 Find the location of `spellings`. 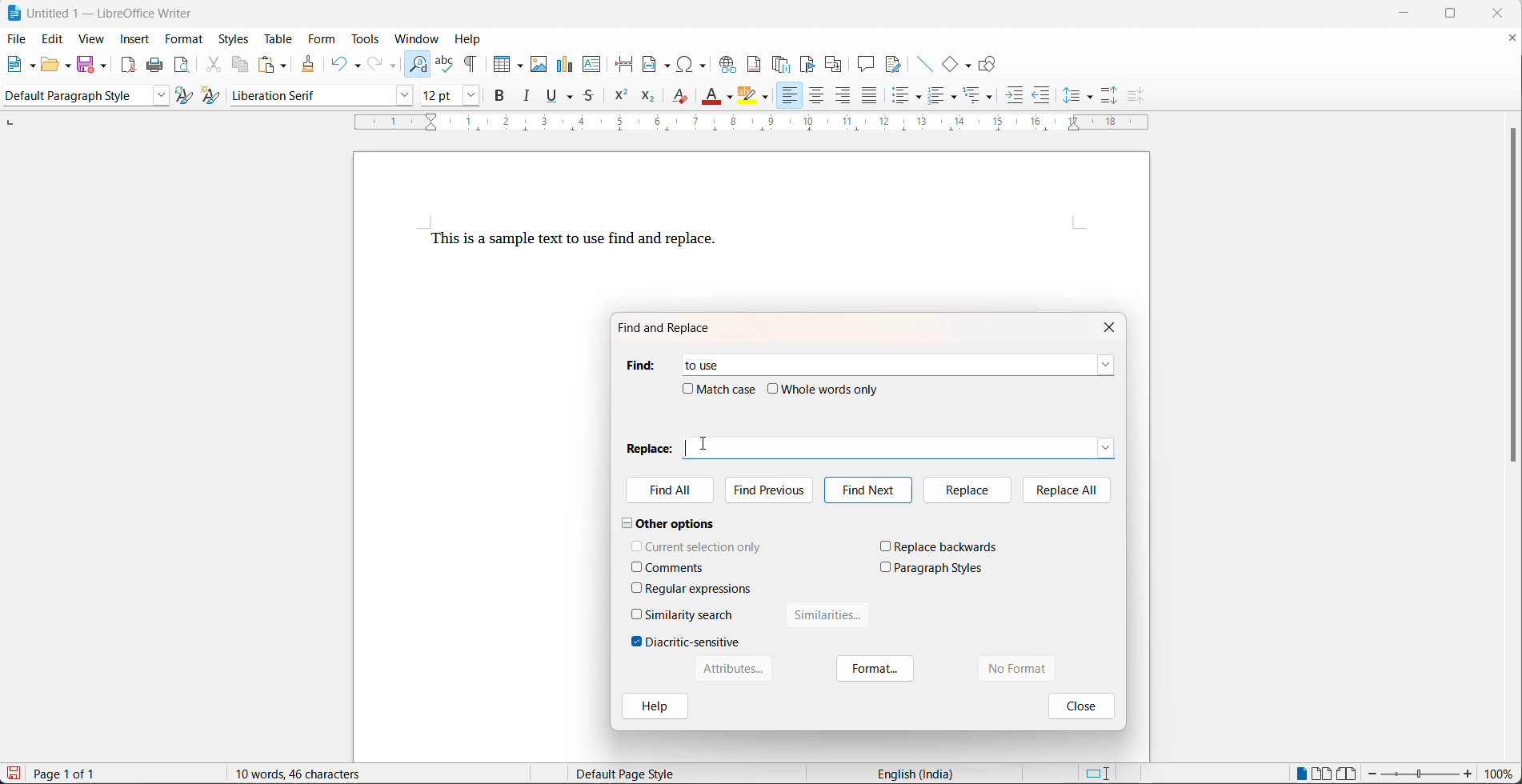

spellings is located at coordinates (445, 59).